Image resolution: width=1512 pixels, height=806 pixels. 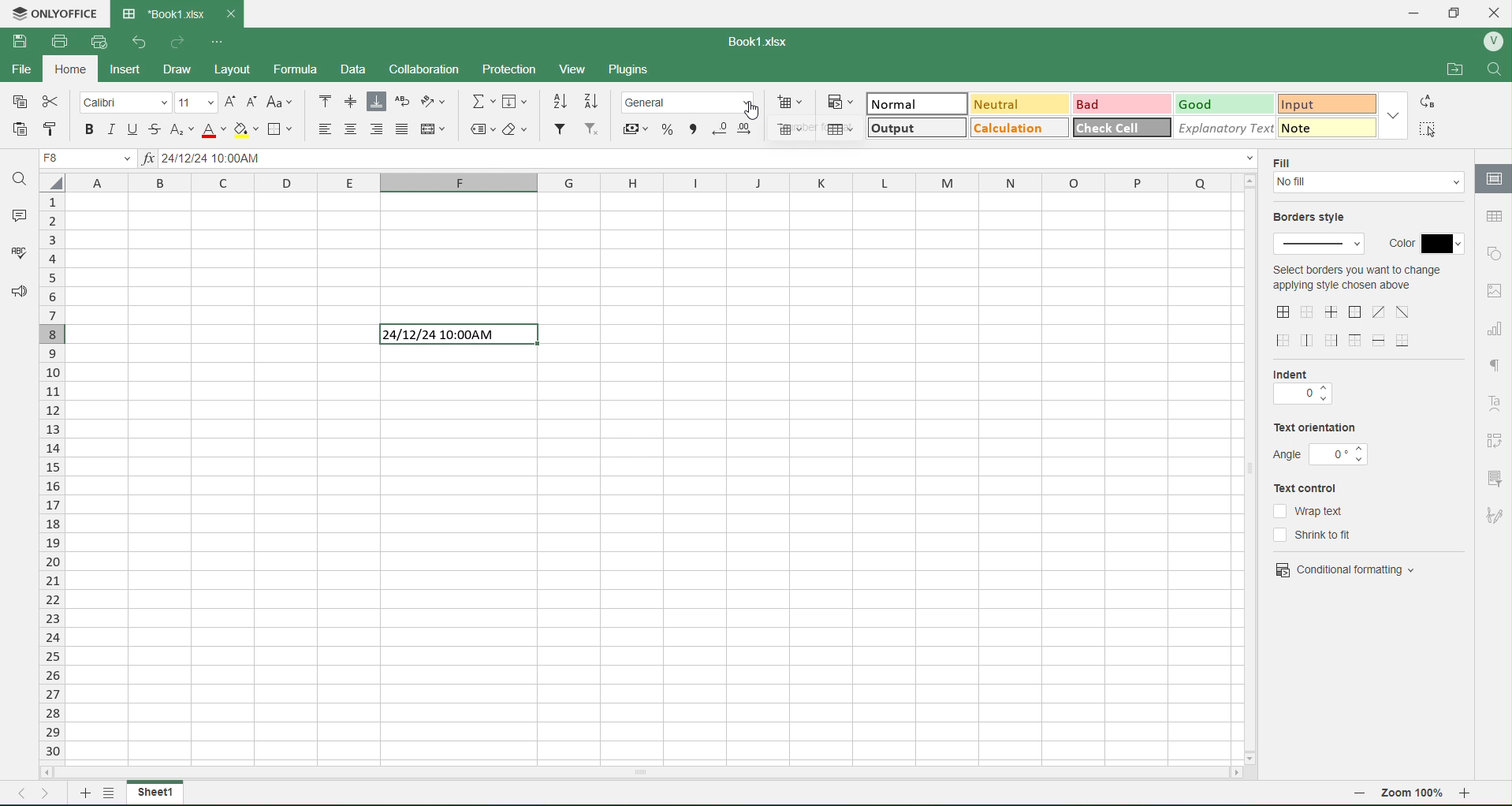 What do you see at coordinates (1307, 312) in the screenshot?
I see `no border` at bounding box center [1307, 312].